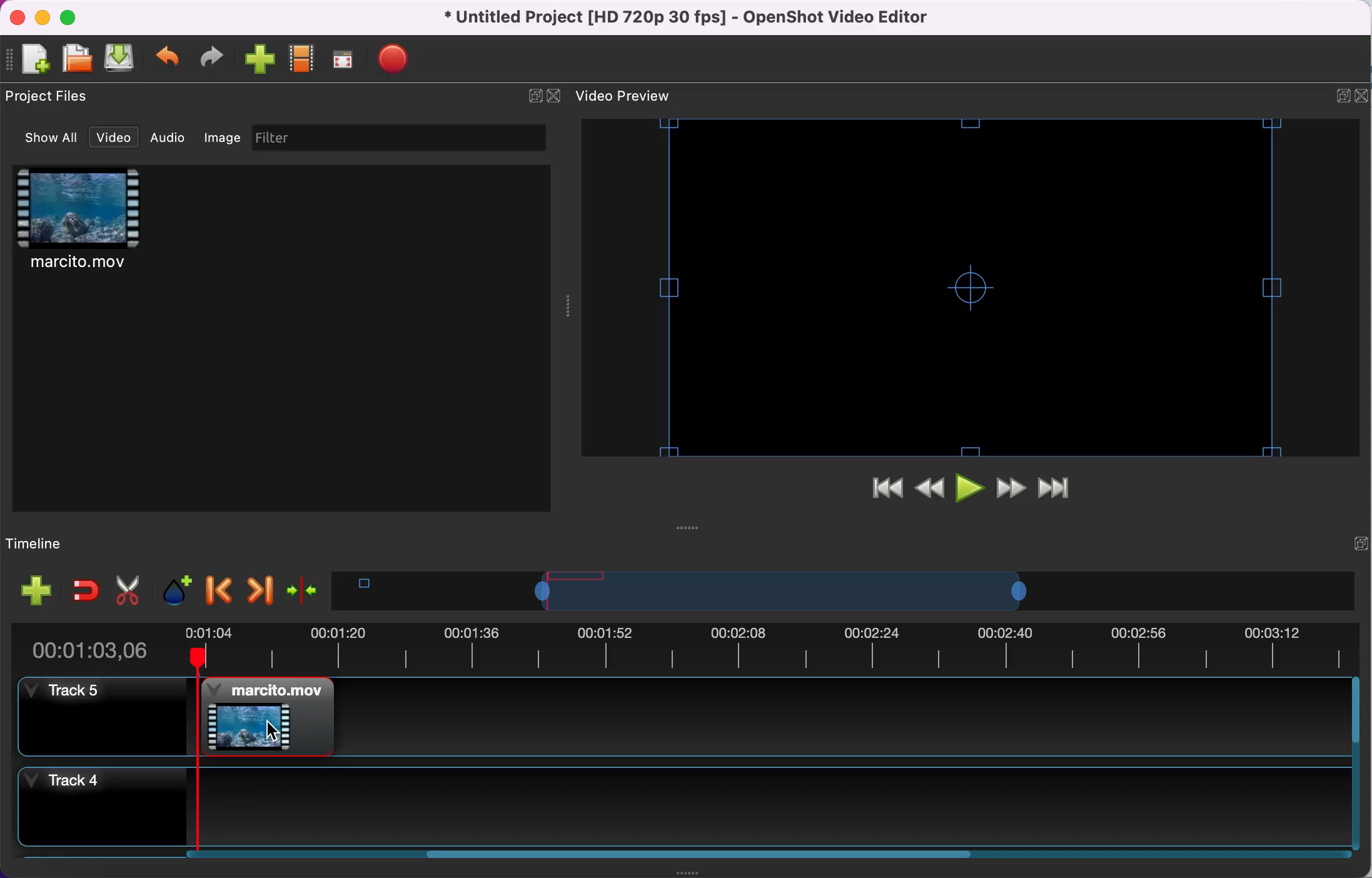 The height and width of the screenshot is (878, 1372). I want to click on redo, so click(212, 58).